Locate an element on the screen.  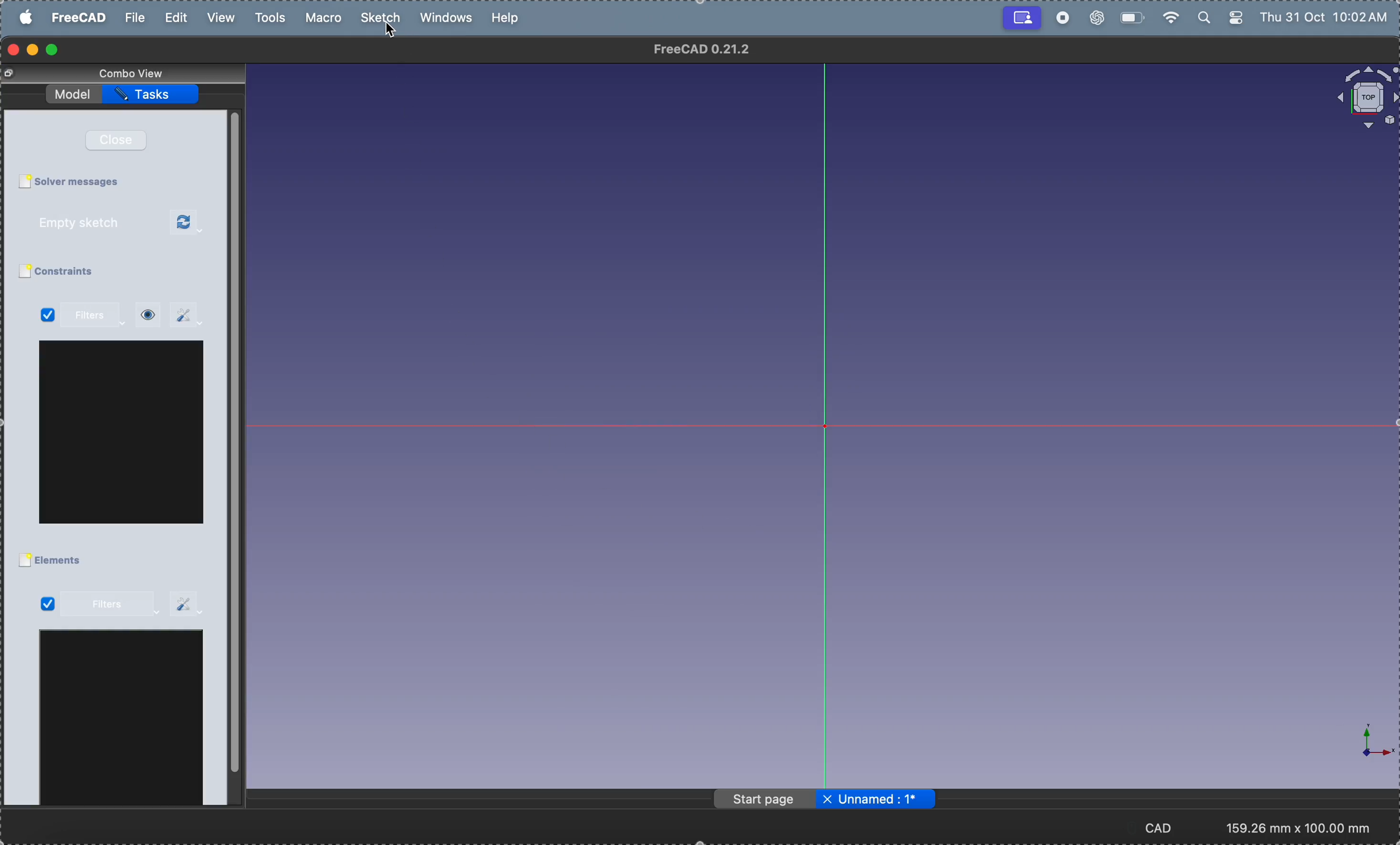
record is located at coordinates (1062, 18).